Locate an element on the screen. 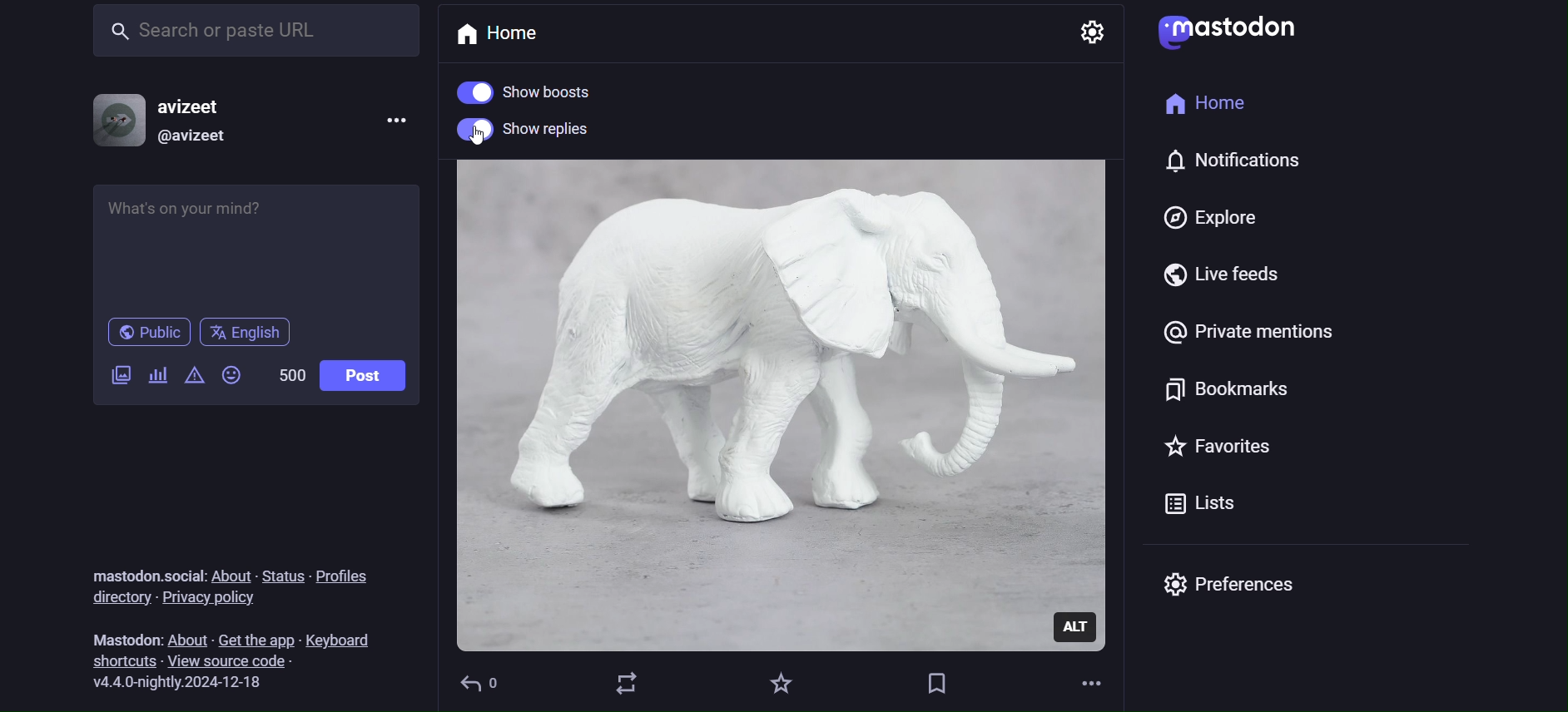  post picture is located at coordinates (782, 378).